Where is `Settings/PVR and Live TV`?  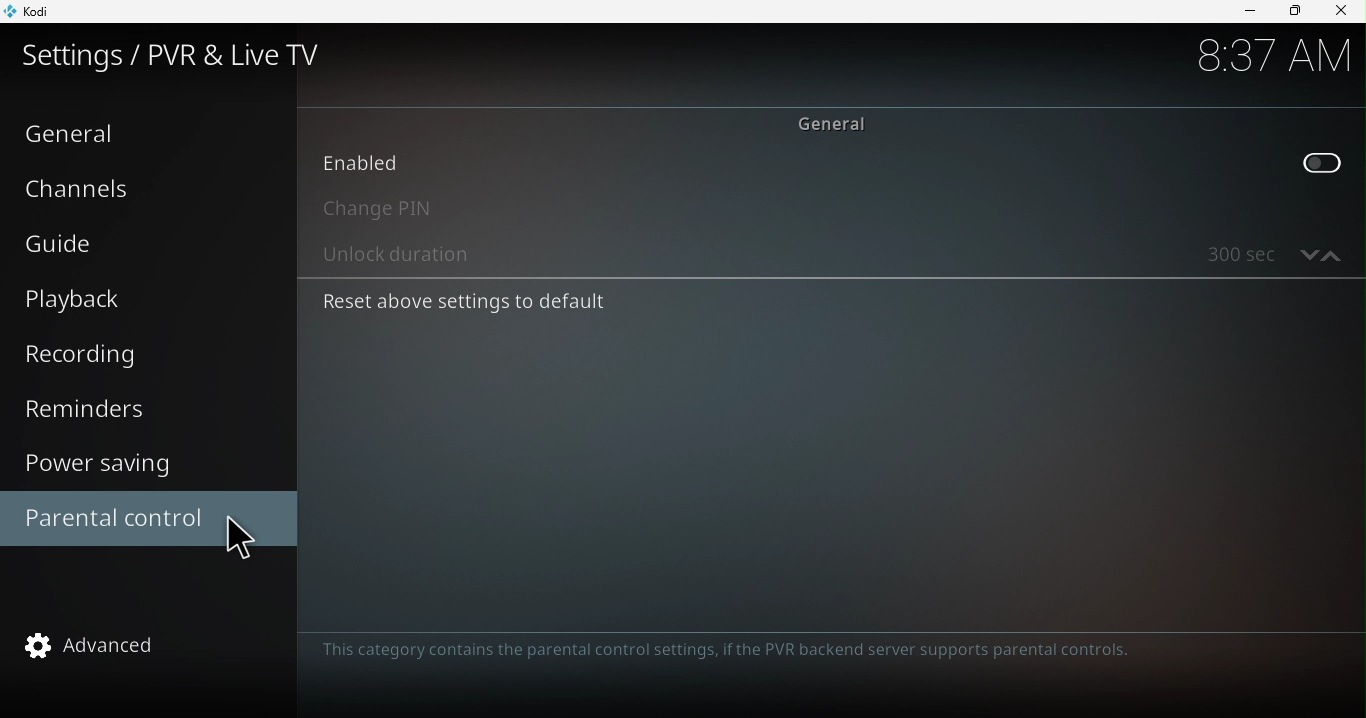
Settings/PVR and Live TV is located at coordinates (187, 56).